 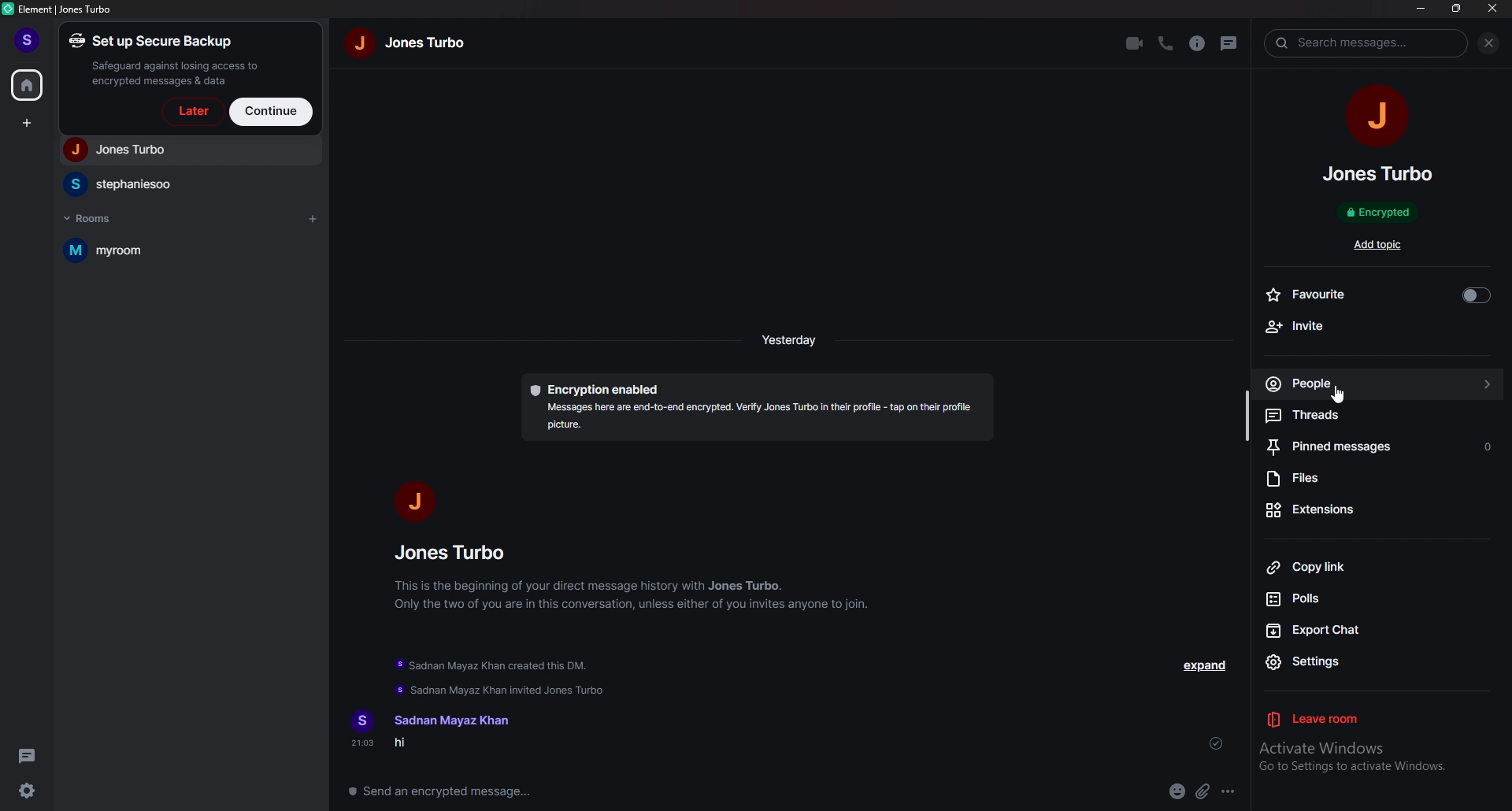 I want to click on resize, so click(x=1457, y=8).